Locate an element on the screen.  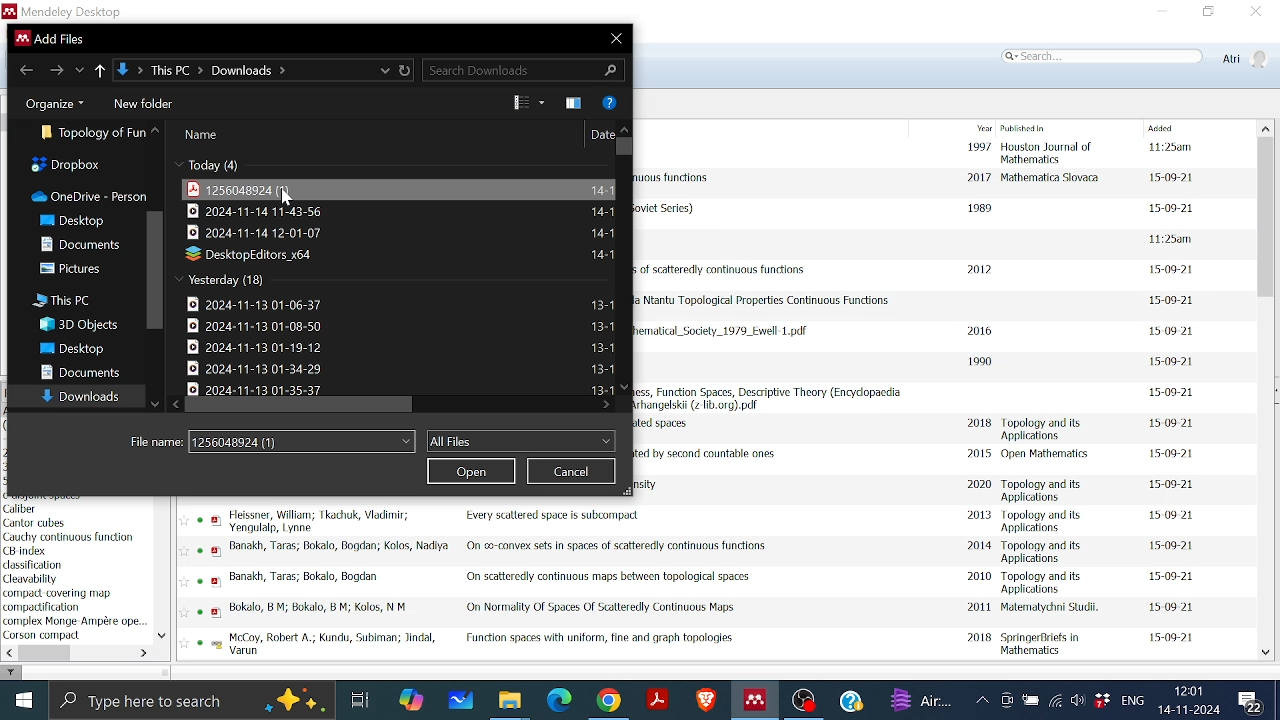
pdf is located at coordinates (220, 553).